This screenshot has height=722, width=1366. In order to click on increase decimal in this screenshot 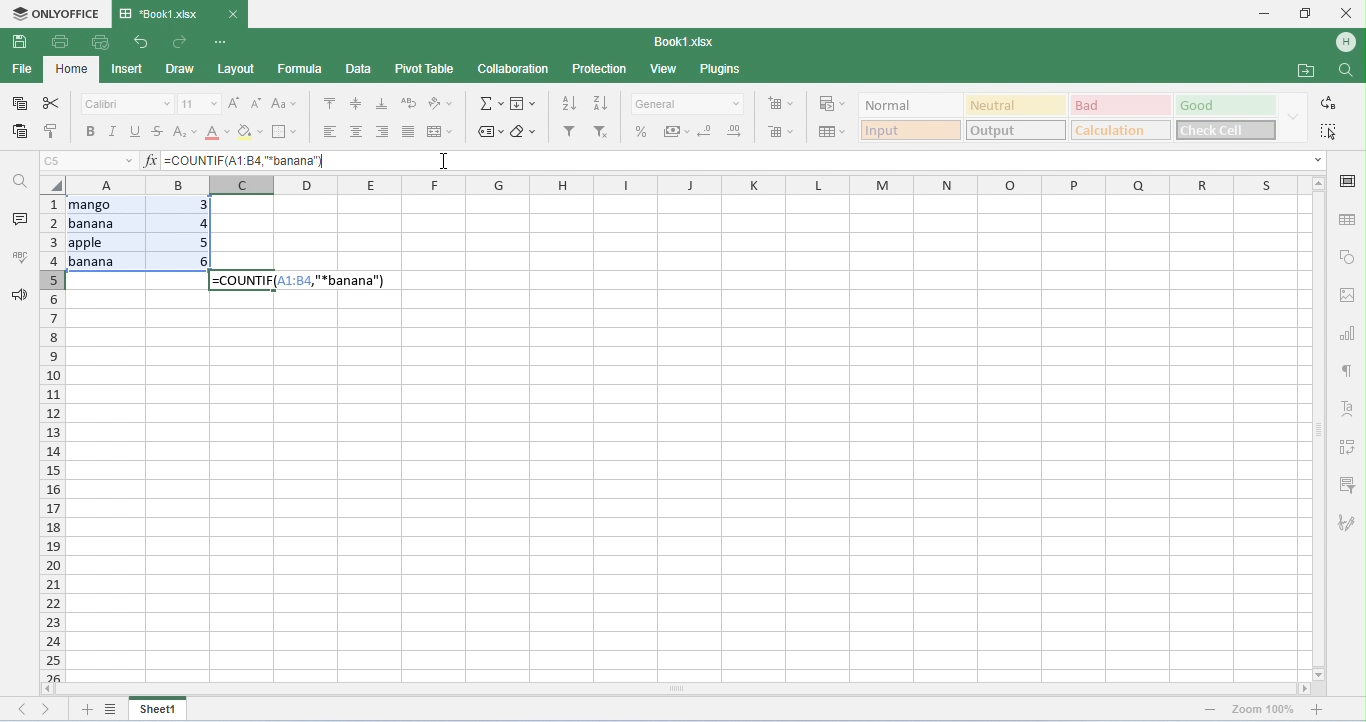, I will do `click(734, 131)`.